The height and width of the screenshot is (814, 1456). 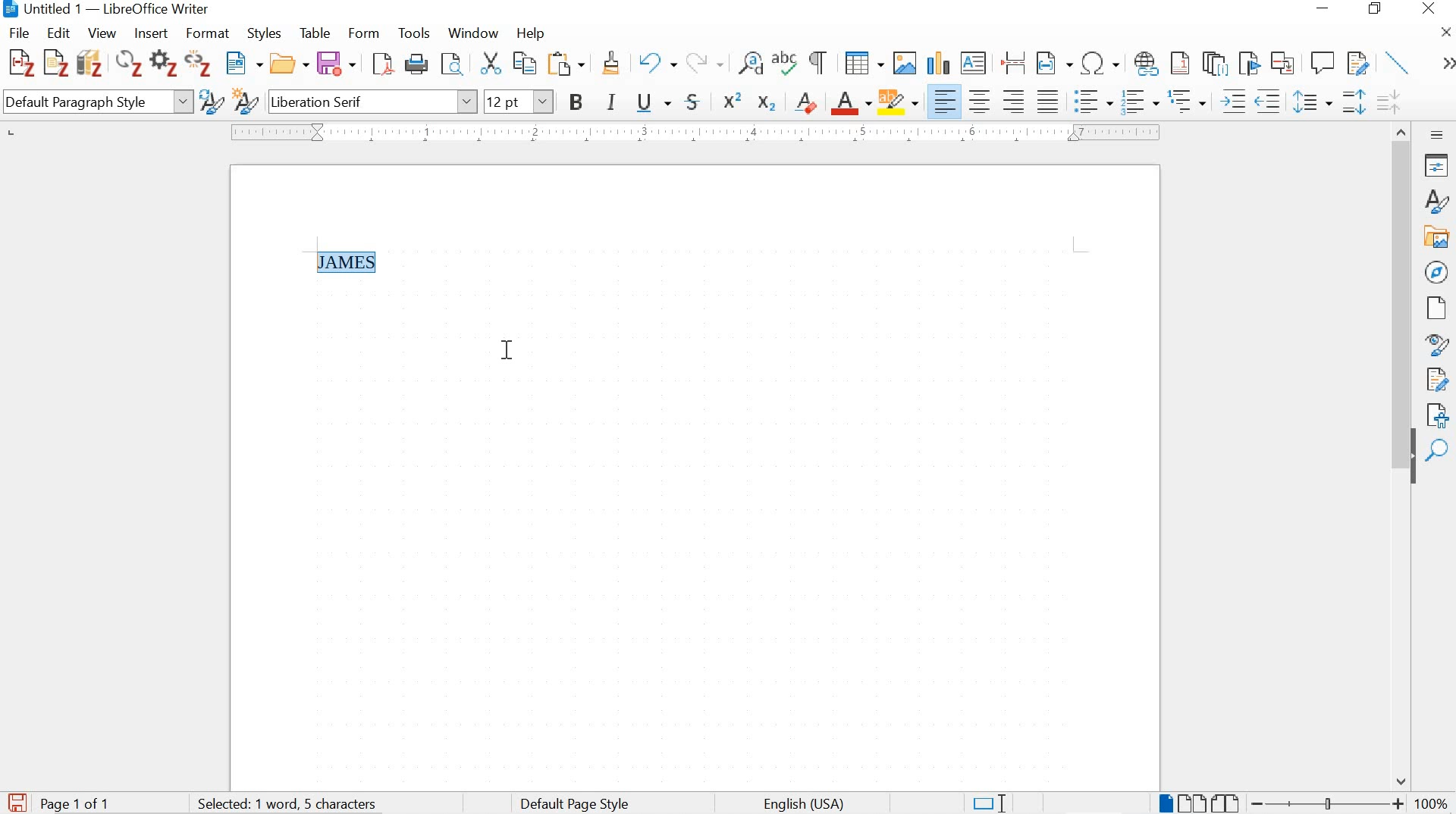 I want to click on table, so click(x=315, y=33).